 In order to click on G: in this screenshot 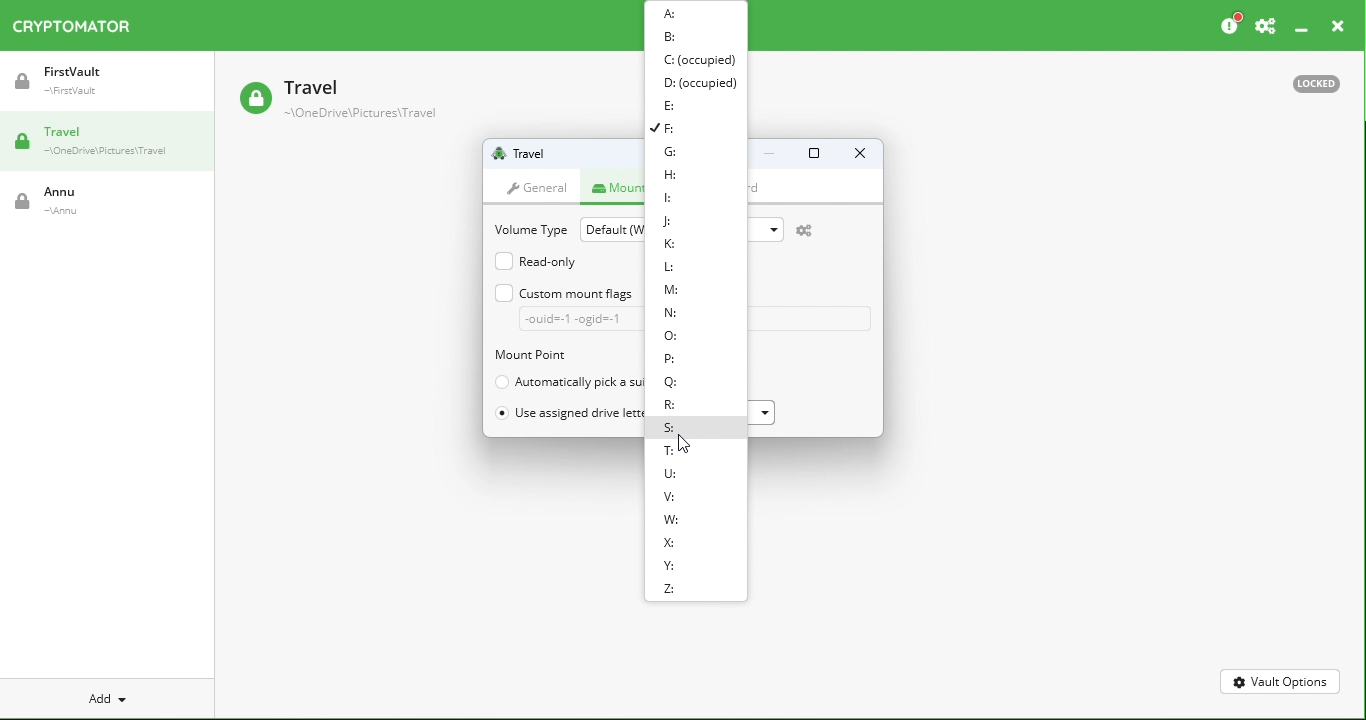, I will do `click(681, 153)`.